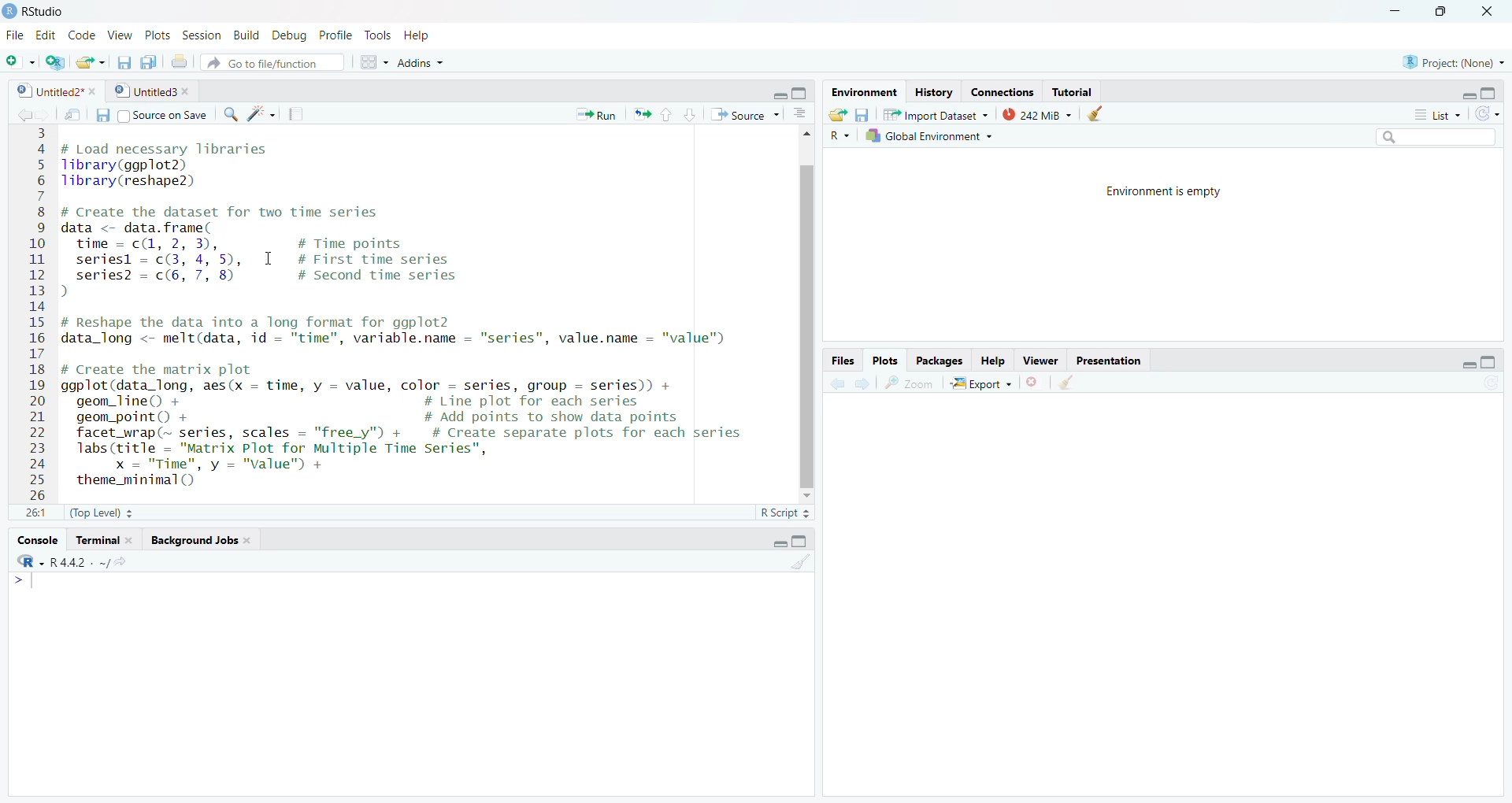  Describe the element at coordinates (1156, 189) in the screenshot. I see `Environment is empty` at that location.